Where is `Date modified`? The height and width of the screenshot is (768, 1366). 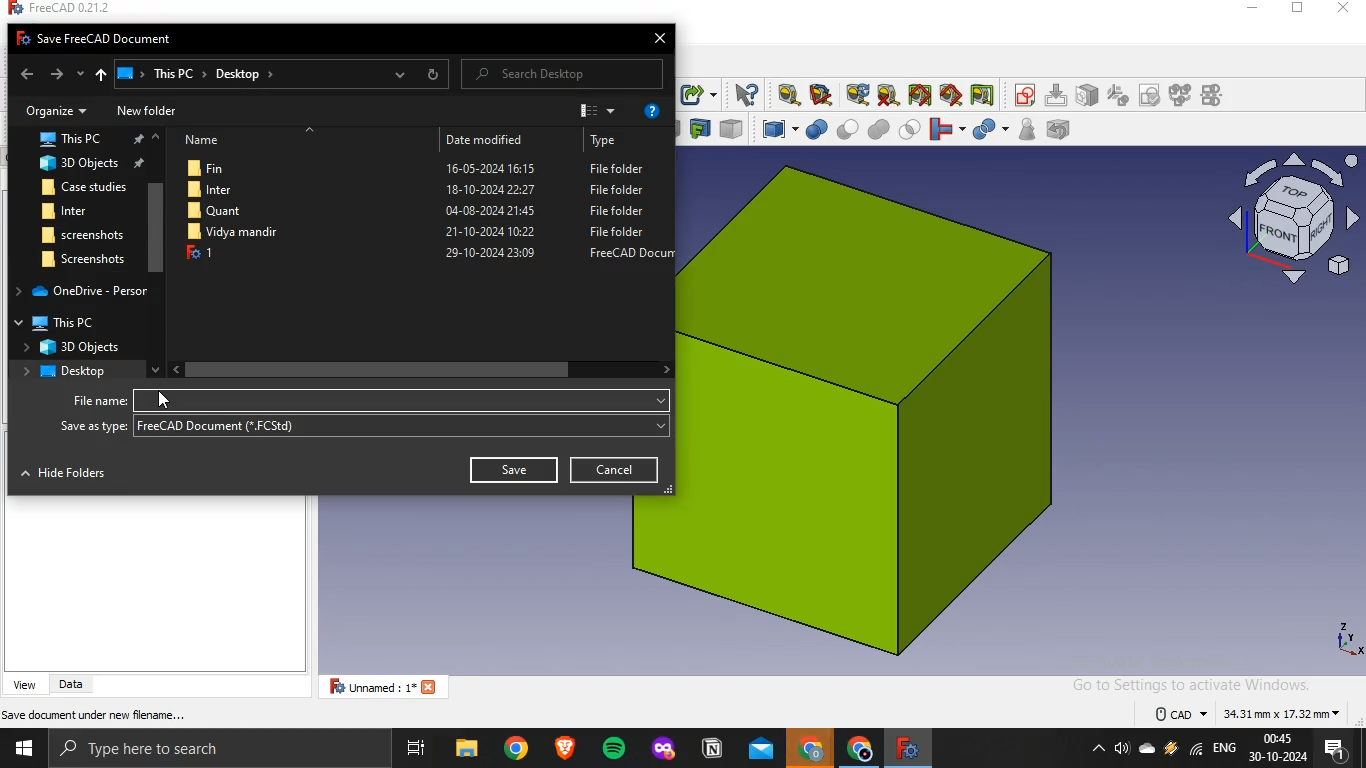
Date modified is located at coordinates (482, 140).